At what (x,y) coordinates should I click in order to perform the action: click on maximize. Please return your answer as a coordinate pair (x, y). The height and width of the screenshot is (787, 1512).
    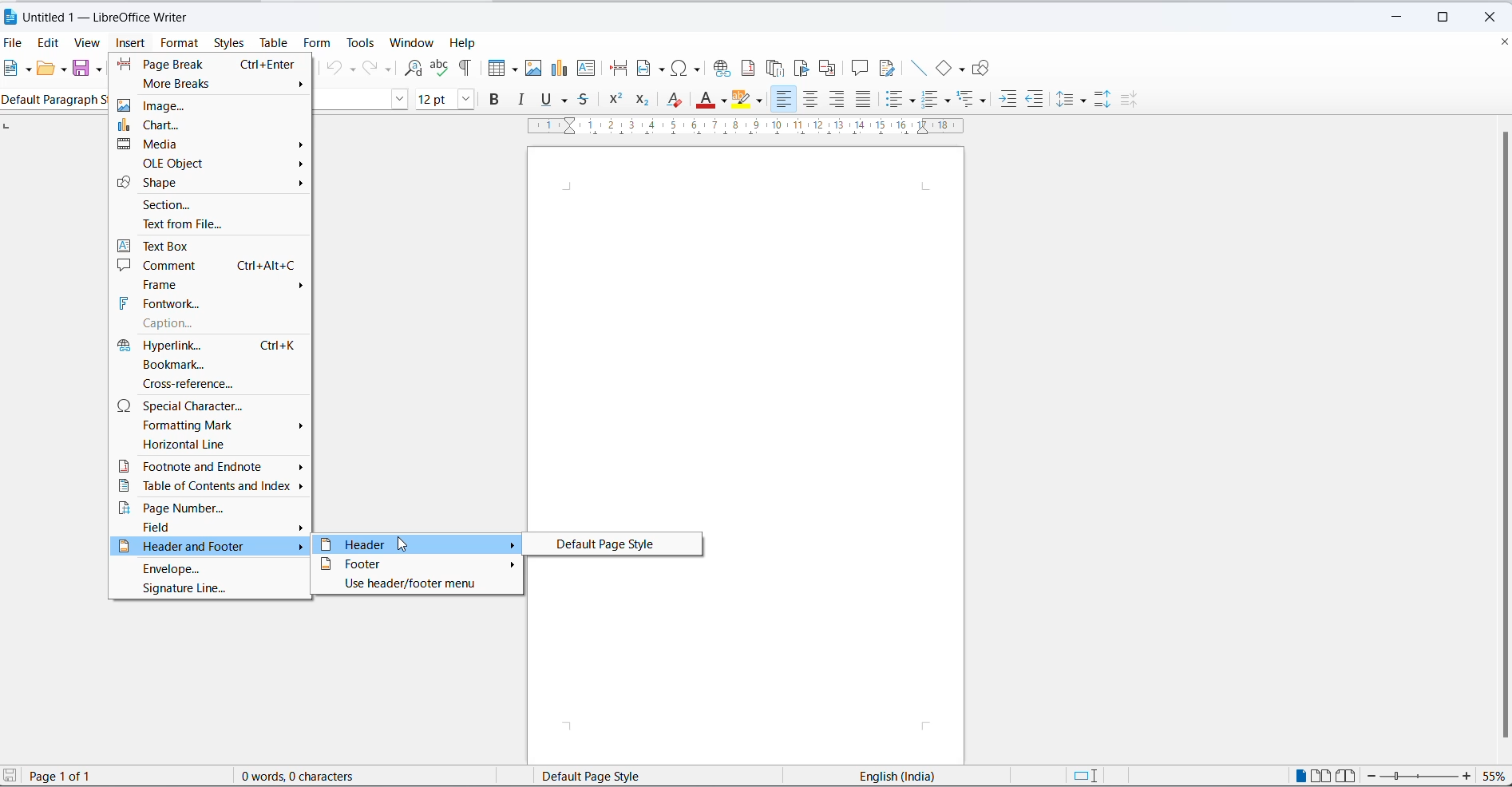
    Looking at the image, I should click on (1449, 14).